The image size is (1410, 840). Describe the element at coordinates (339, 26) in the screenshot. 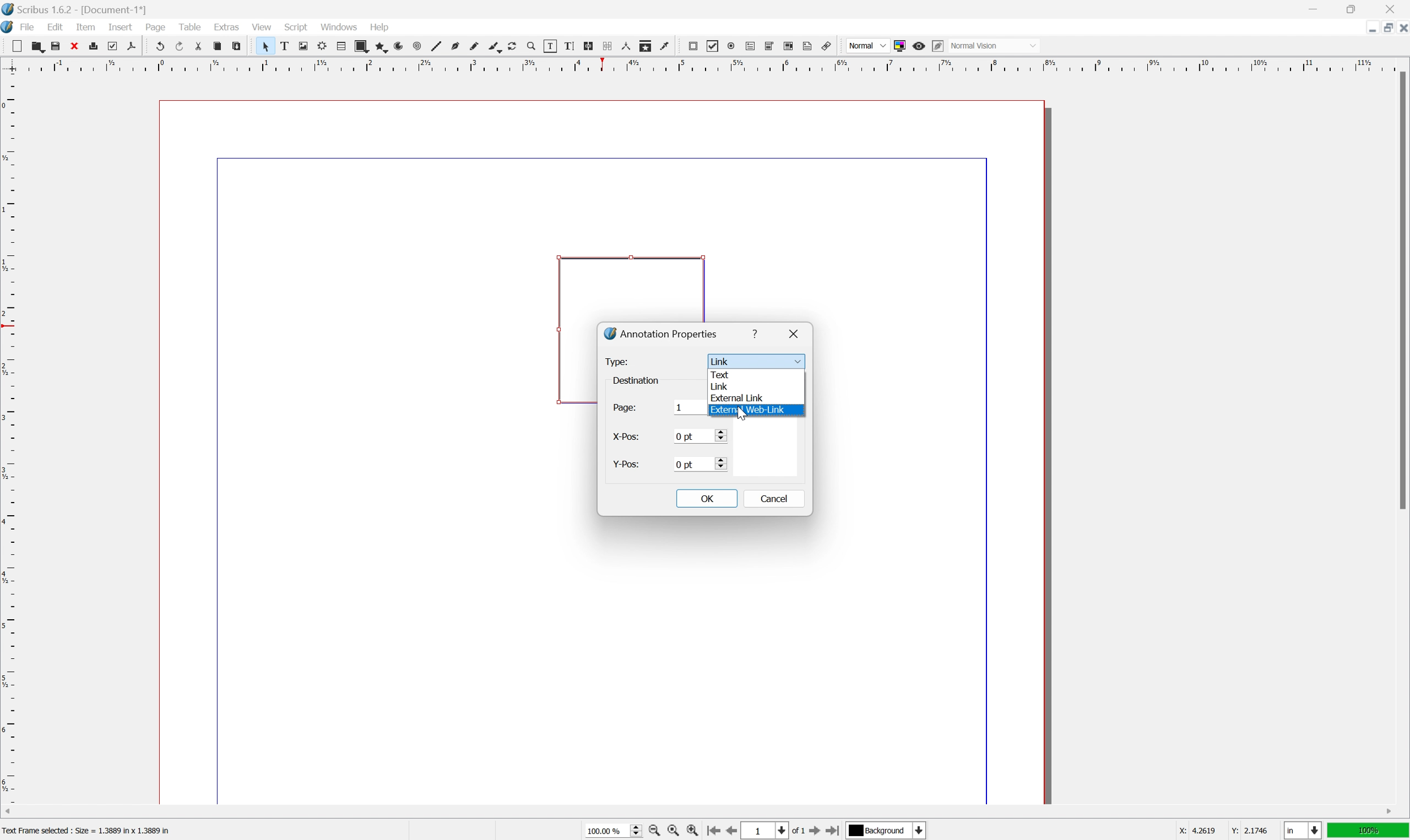

I see `windows` at that location.